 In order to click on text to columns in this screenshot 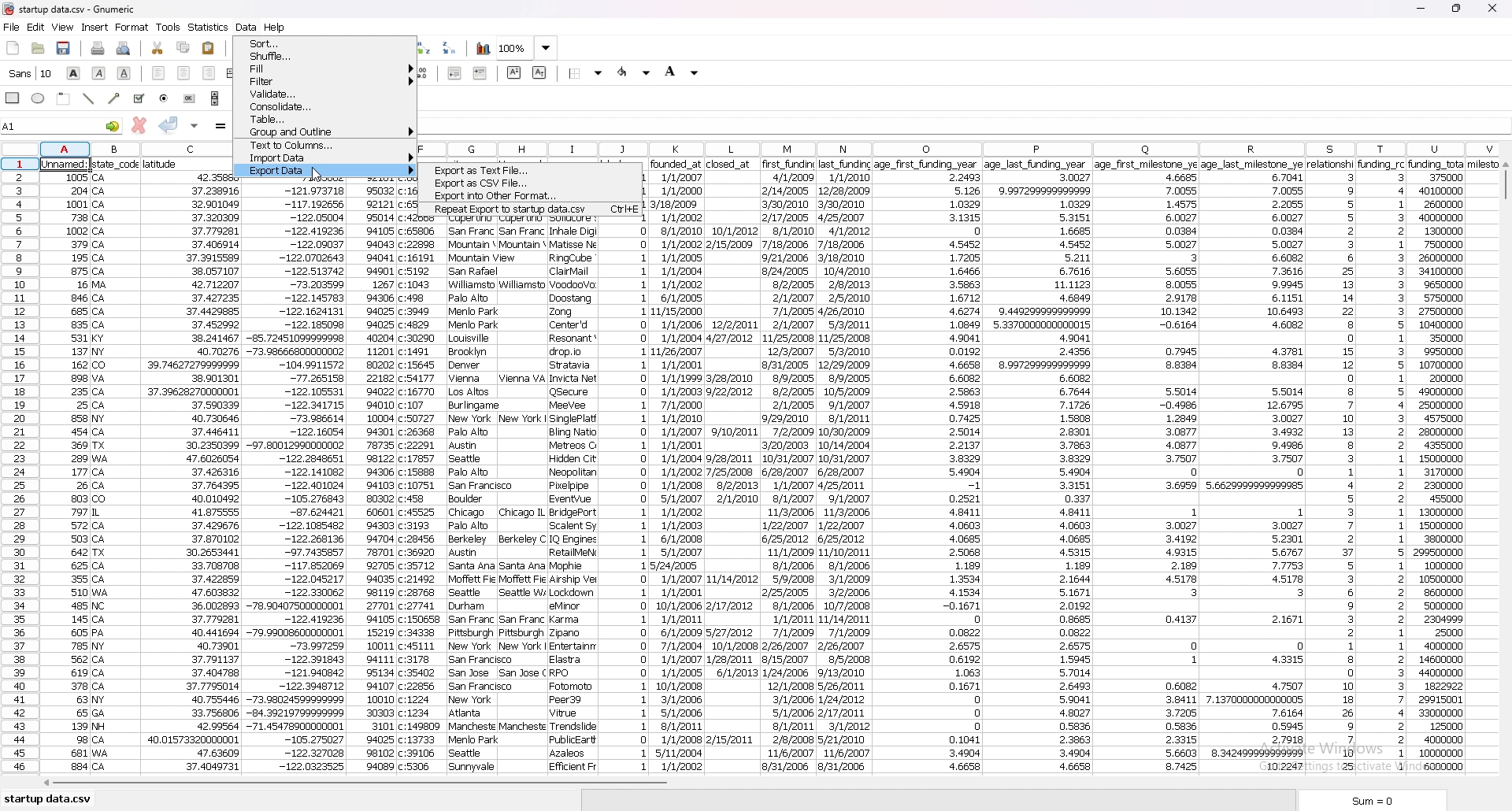, I will do `click(326, 145)`.